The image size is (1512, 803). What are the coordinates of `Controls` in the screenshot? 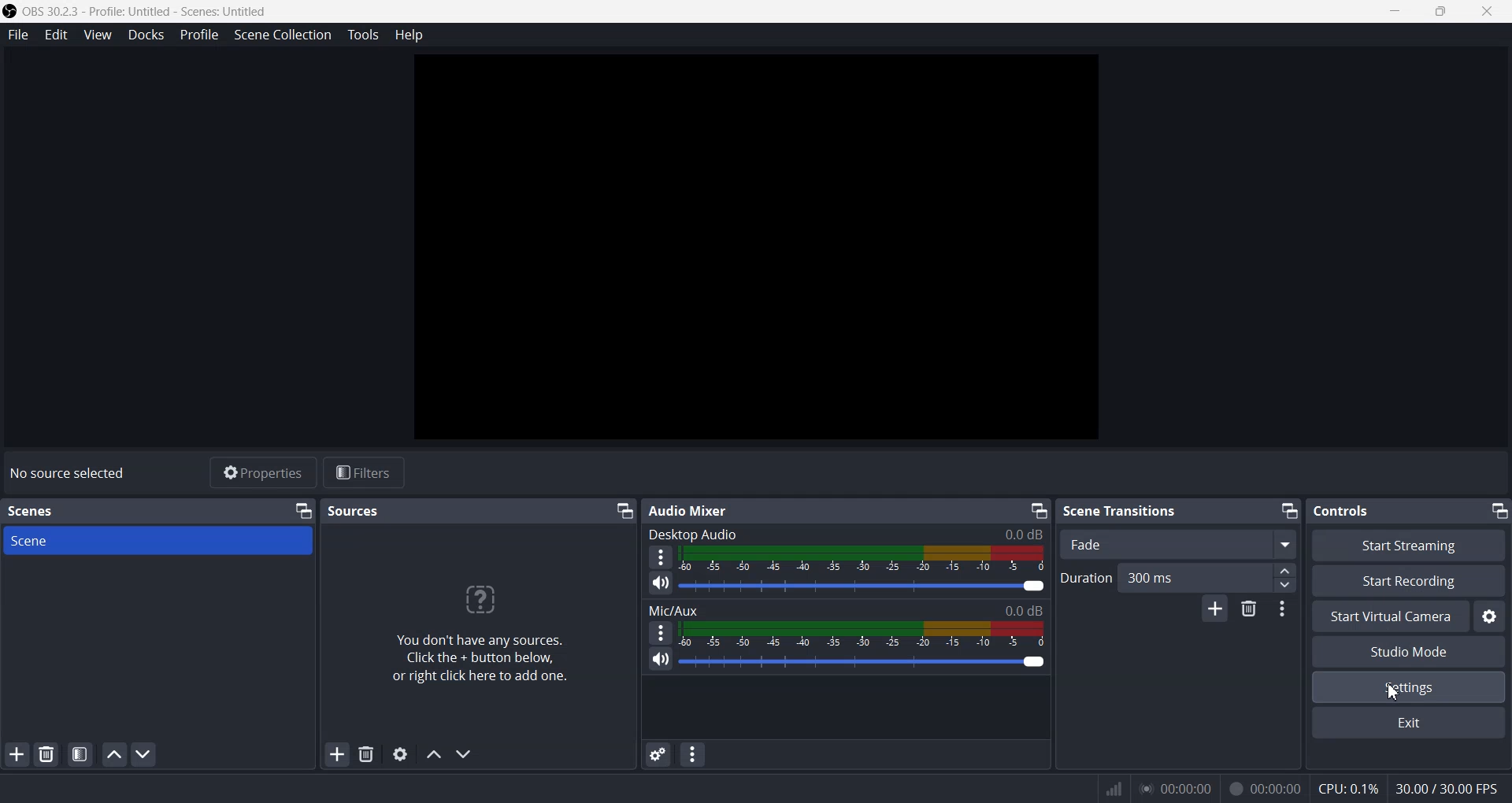 It's located at (1349, 510).